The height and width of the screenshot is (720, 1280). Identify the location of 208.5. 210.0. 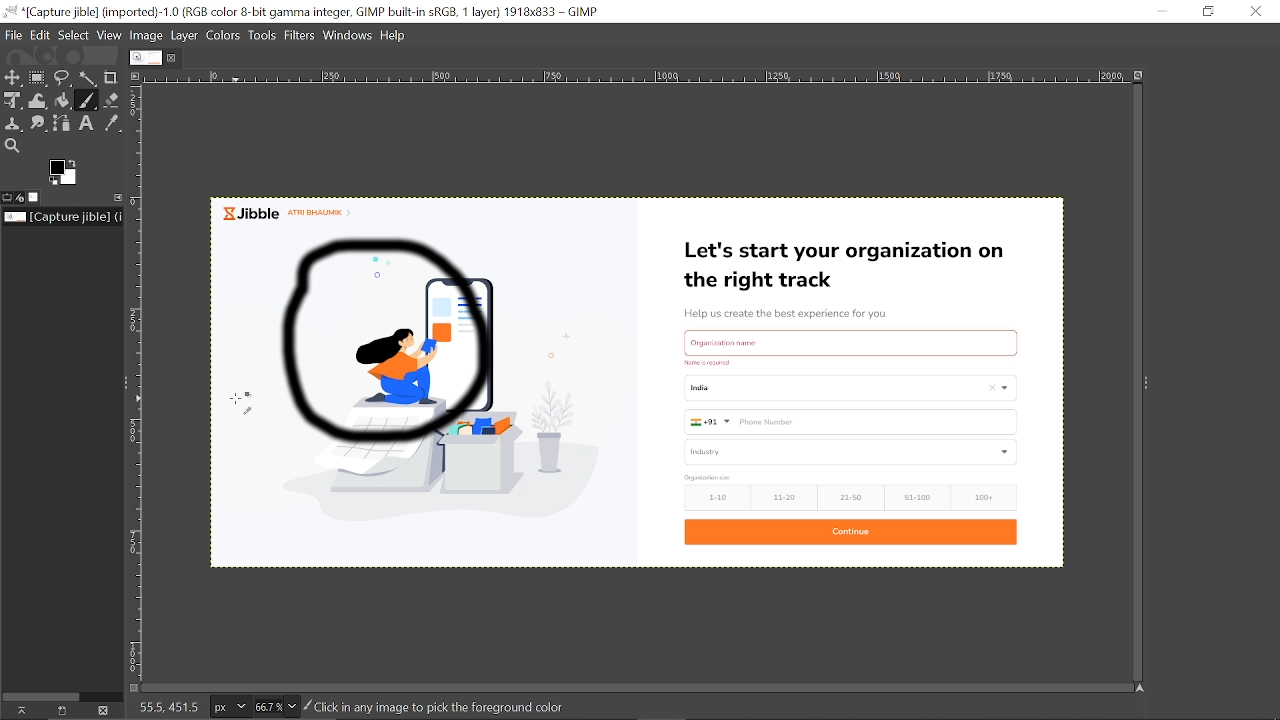
(168, 704).